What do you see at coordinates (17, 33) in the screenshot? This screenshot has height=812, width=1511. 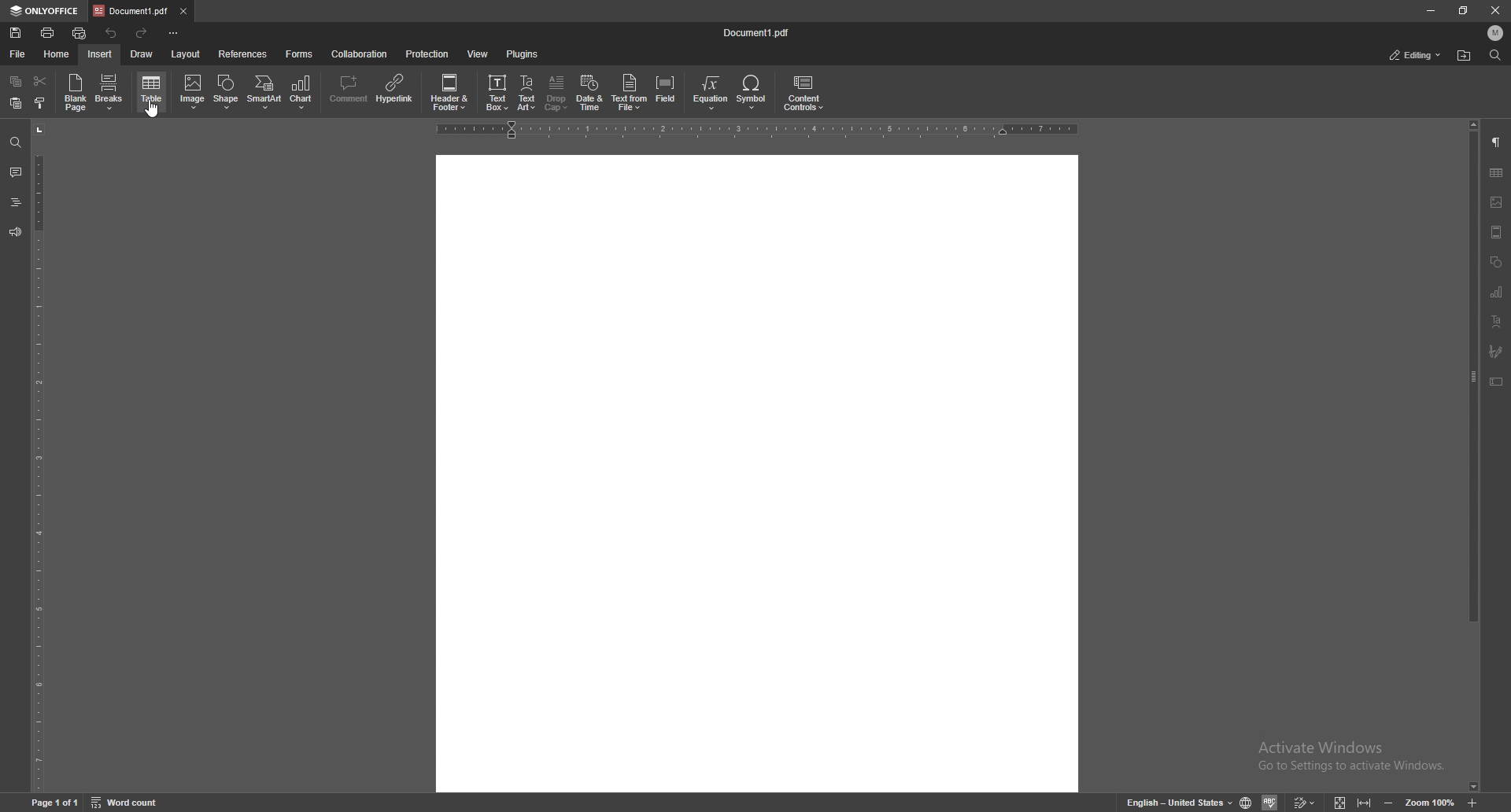 I see `save` at bounding box center [17, 33].